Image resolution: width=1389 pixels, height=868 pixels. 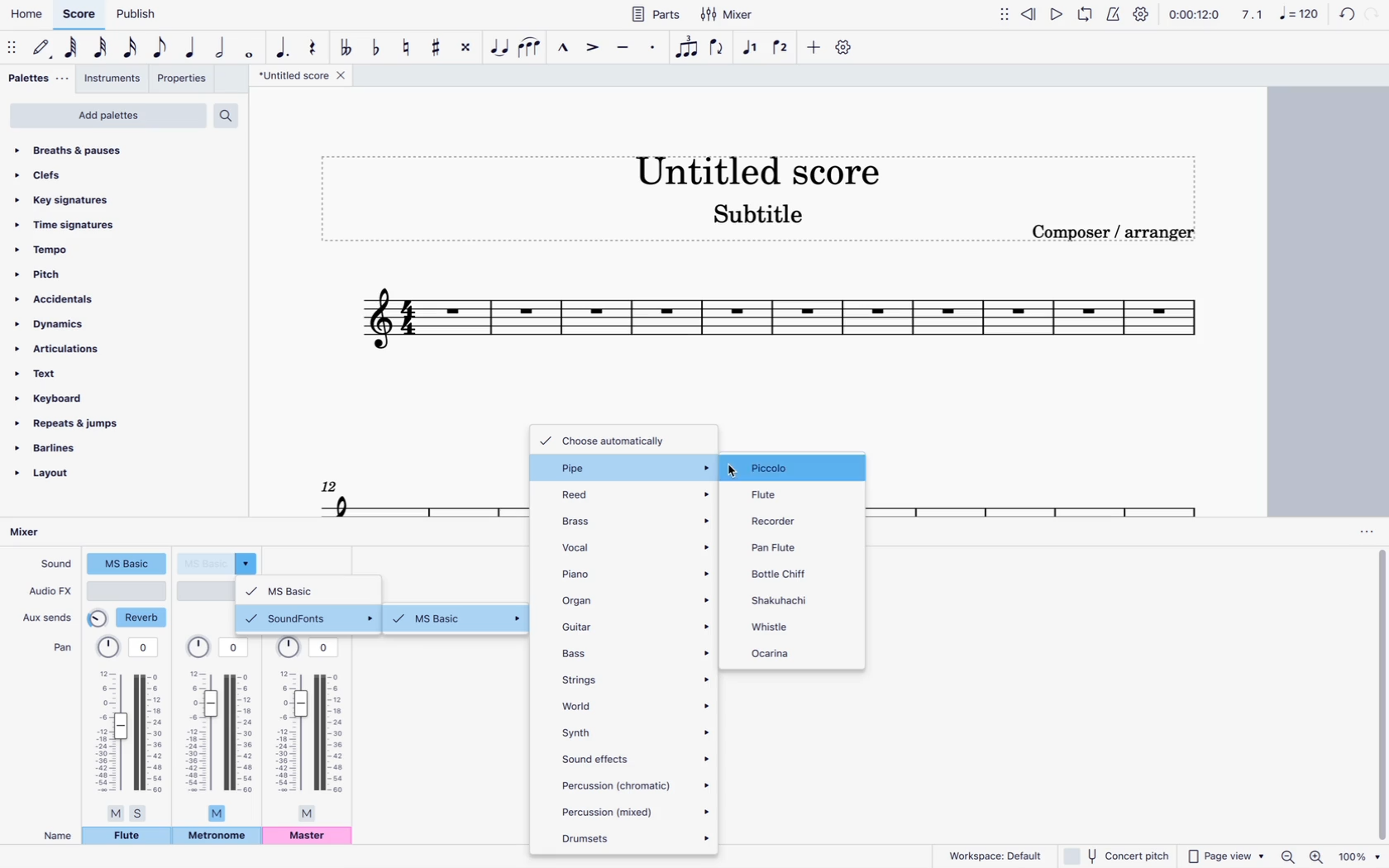 What do you see at coordinates (114, 80) in the screenshot?
I see `instruments` at bounding box center [114, 80].